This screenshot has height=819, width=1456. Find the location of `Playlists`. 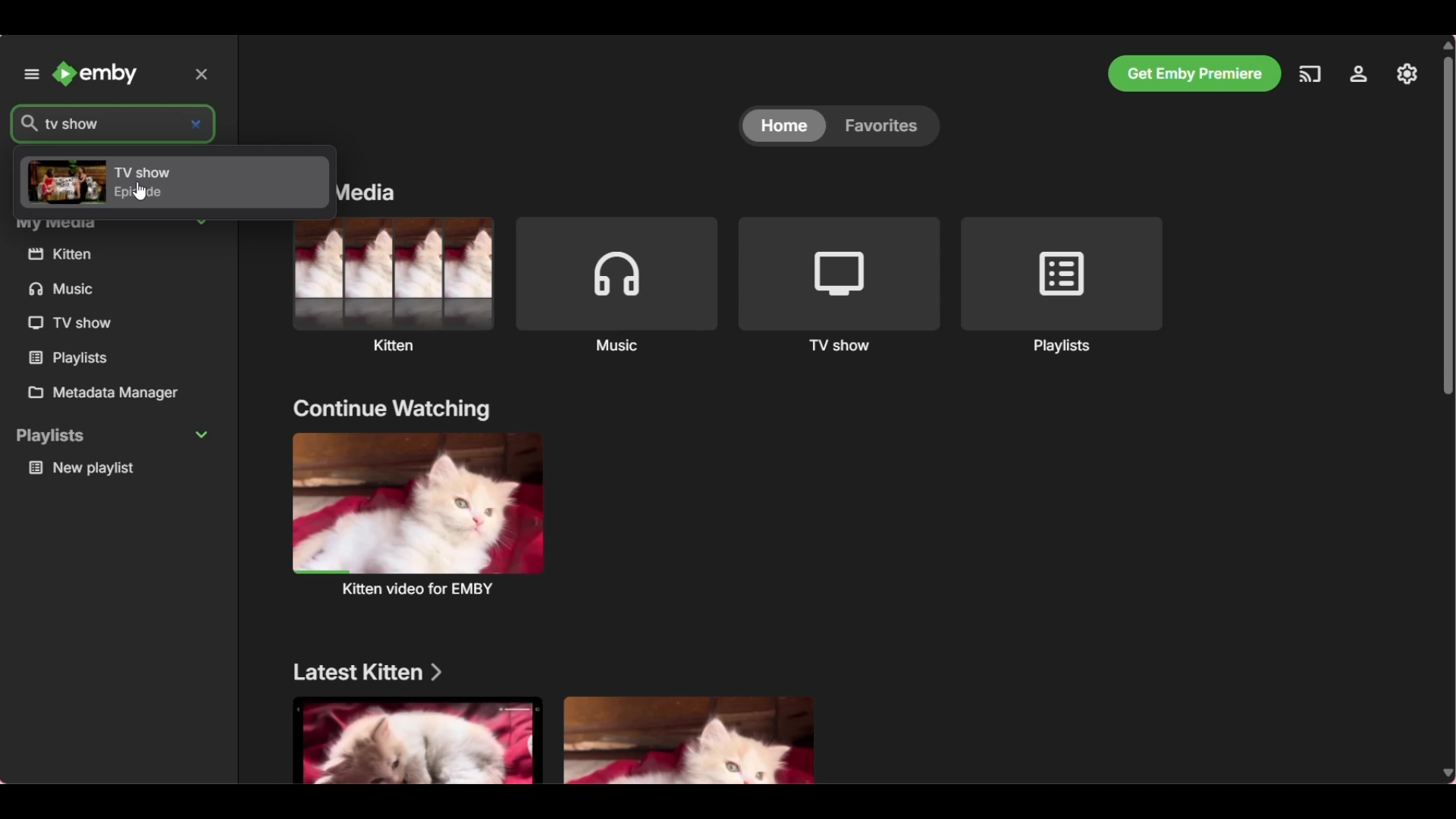

Playlists is located at coordinates (1061, 284).